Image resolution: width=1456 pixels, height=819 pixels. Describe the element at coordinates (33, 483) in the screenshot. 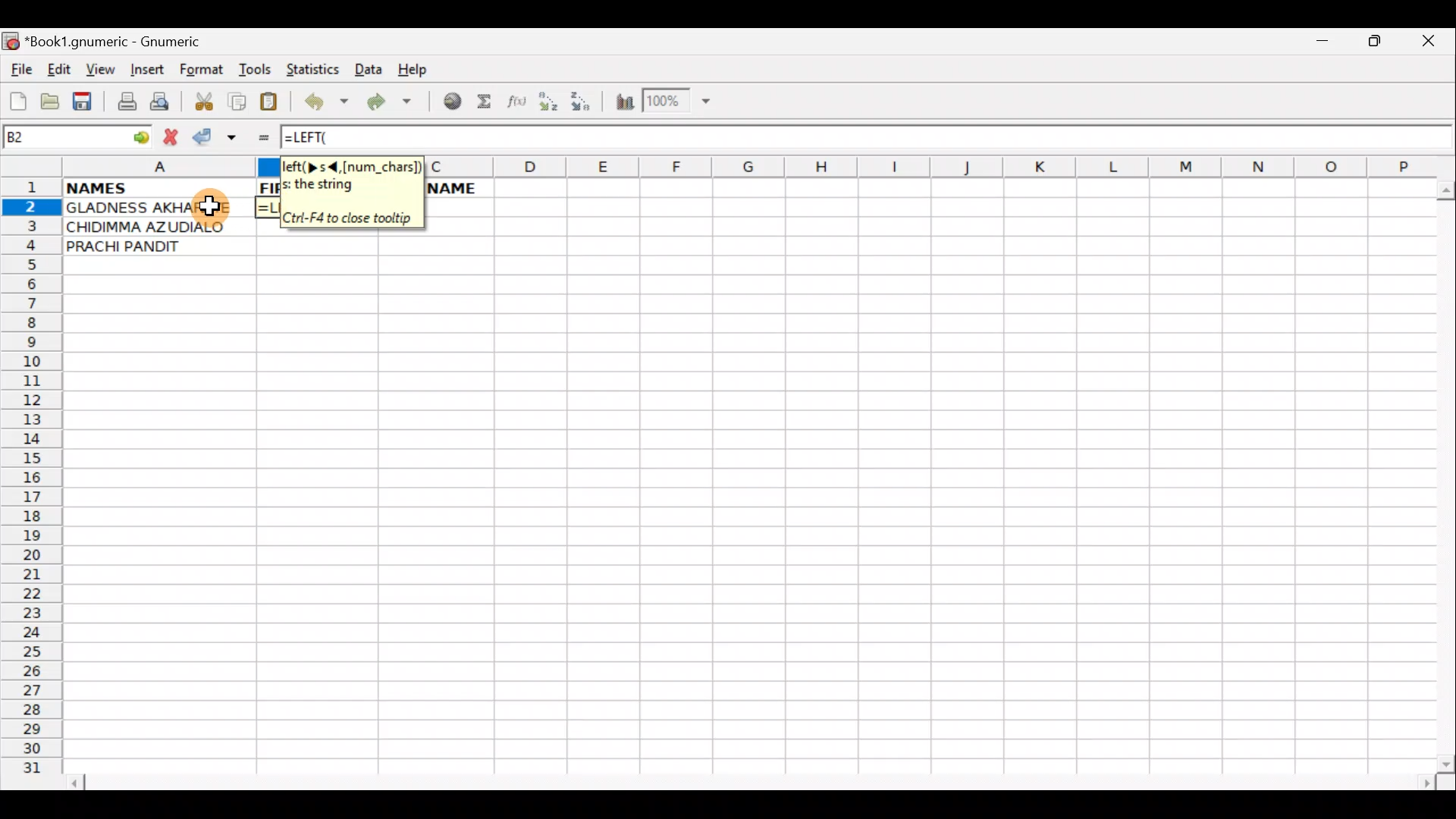

I see `Rows` at that location.